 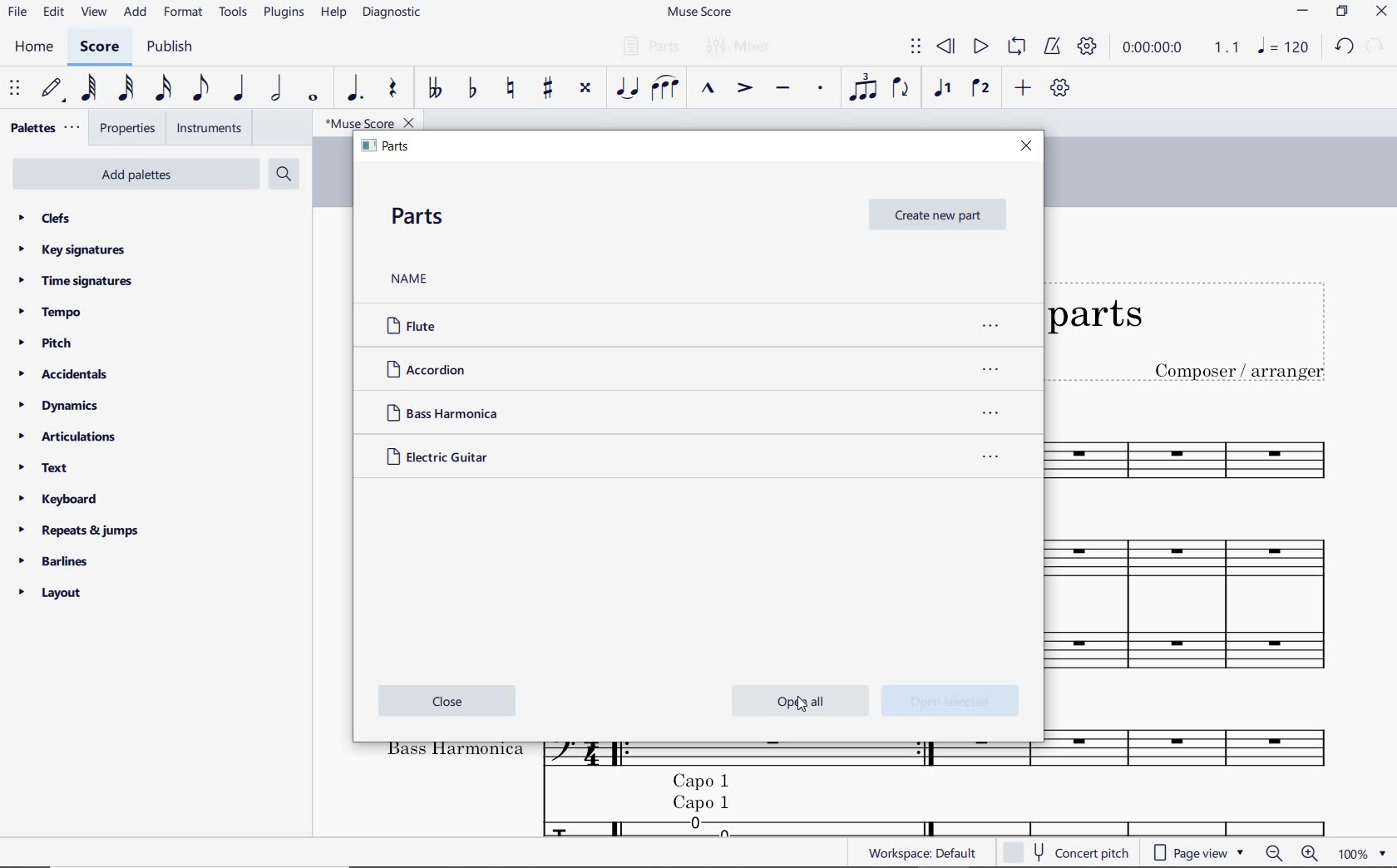 What do you see at coordinates (135, 174) in the screenshot?
I see `add palettes` at bounding box center [135, 174].